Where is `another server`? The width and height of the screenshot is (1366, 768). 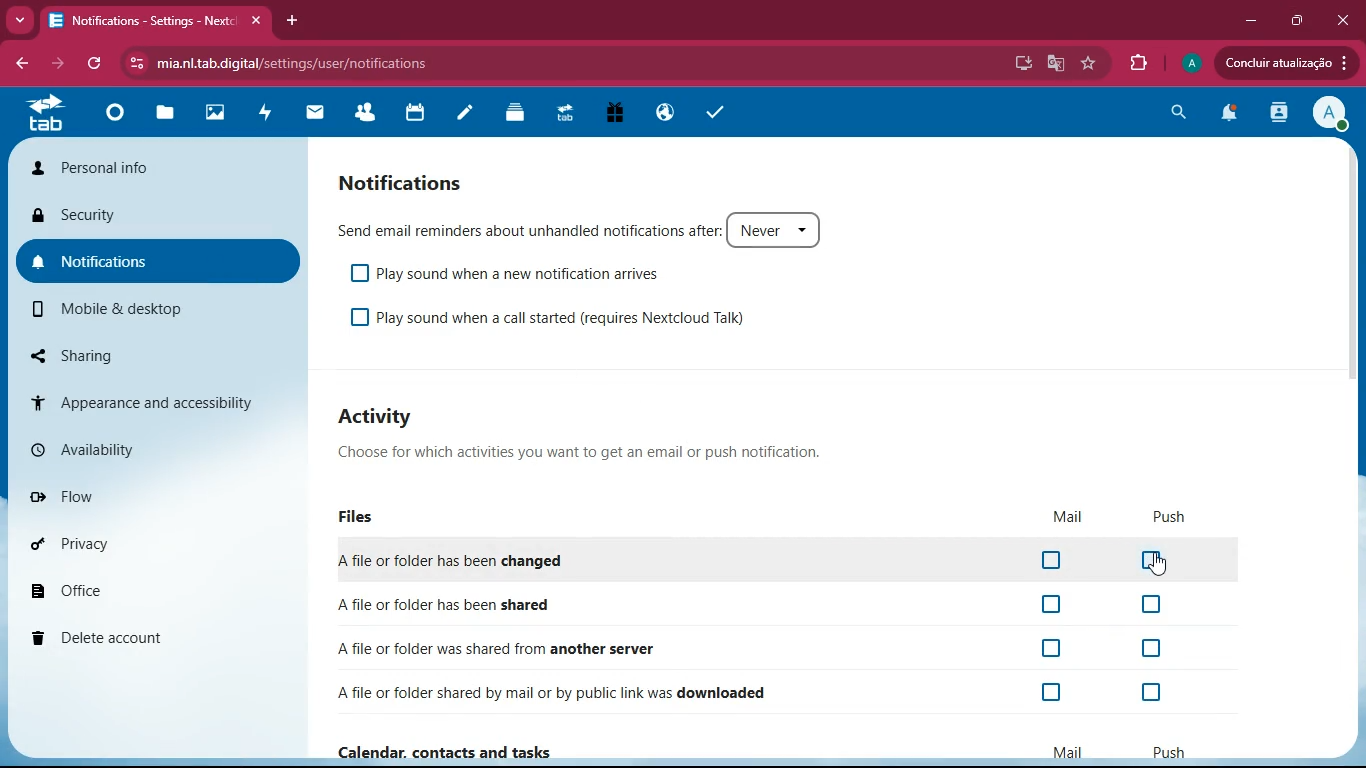 another server is located at coordinates (553, 647).